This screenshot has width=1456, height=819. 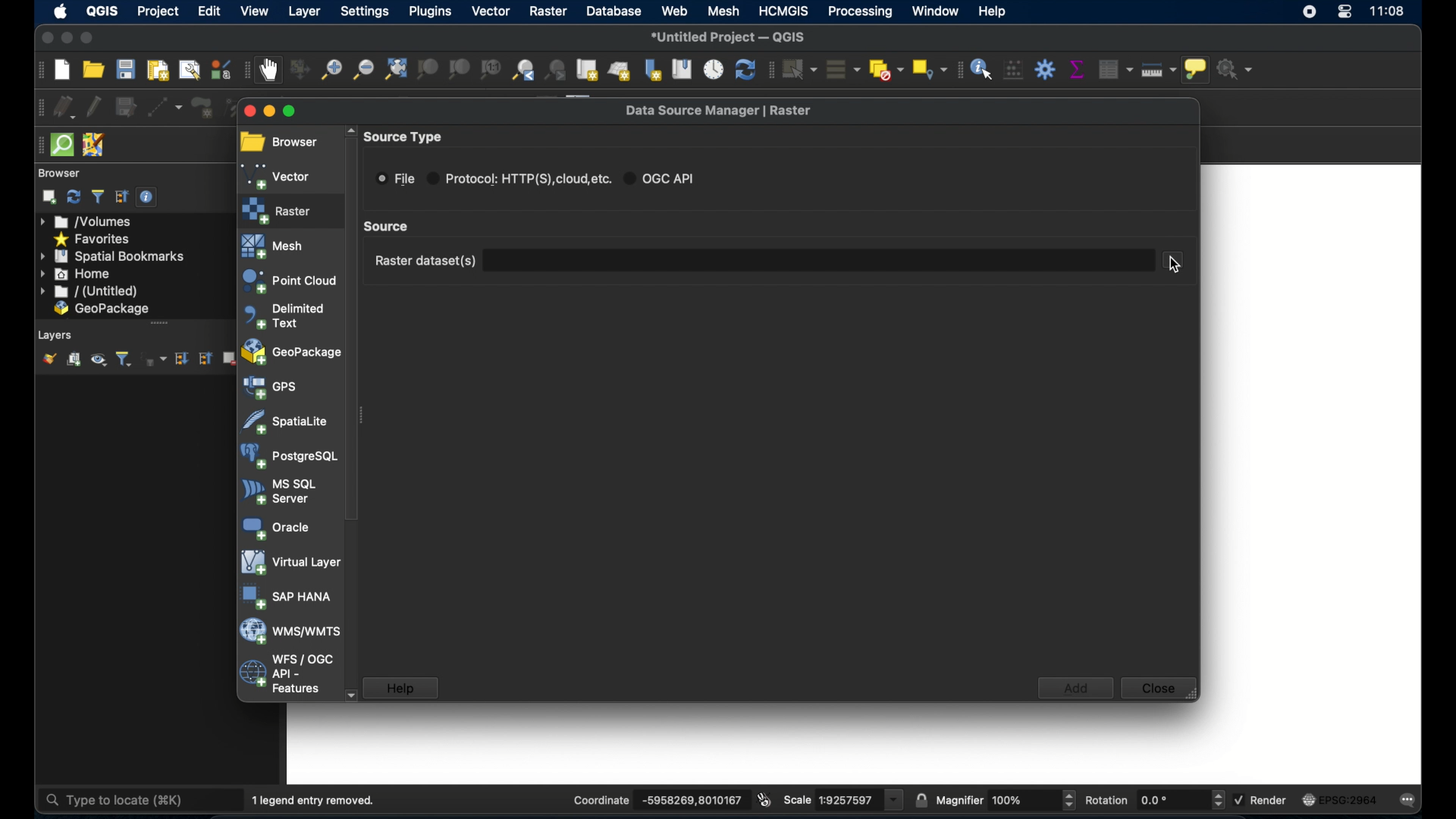 What do you see at coordinates (158, 11) in the screenshot?
I see `project` at bounding box center [158, 11].